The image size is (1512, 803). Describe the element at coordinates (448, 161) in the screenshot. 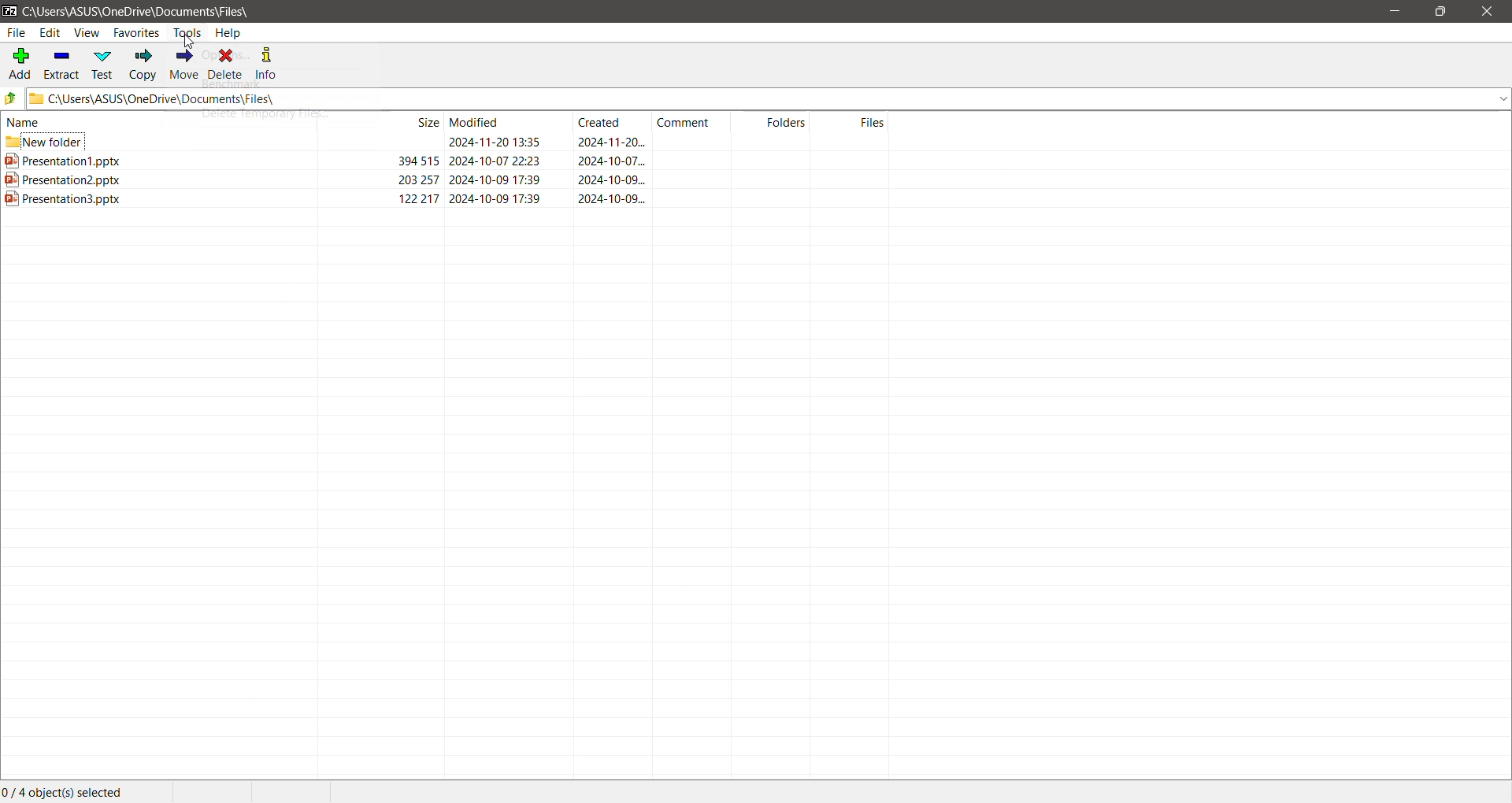

I see `Presentation1.pptx` at that location.